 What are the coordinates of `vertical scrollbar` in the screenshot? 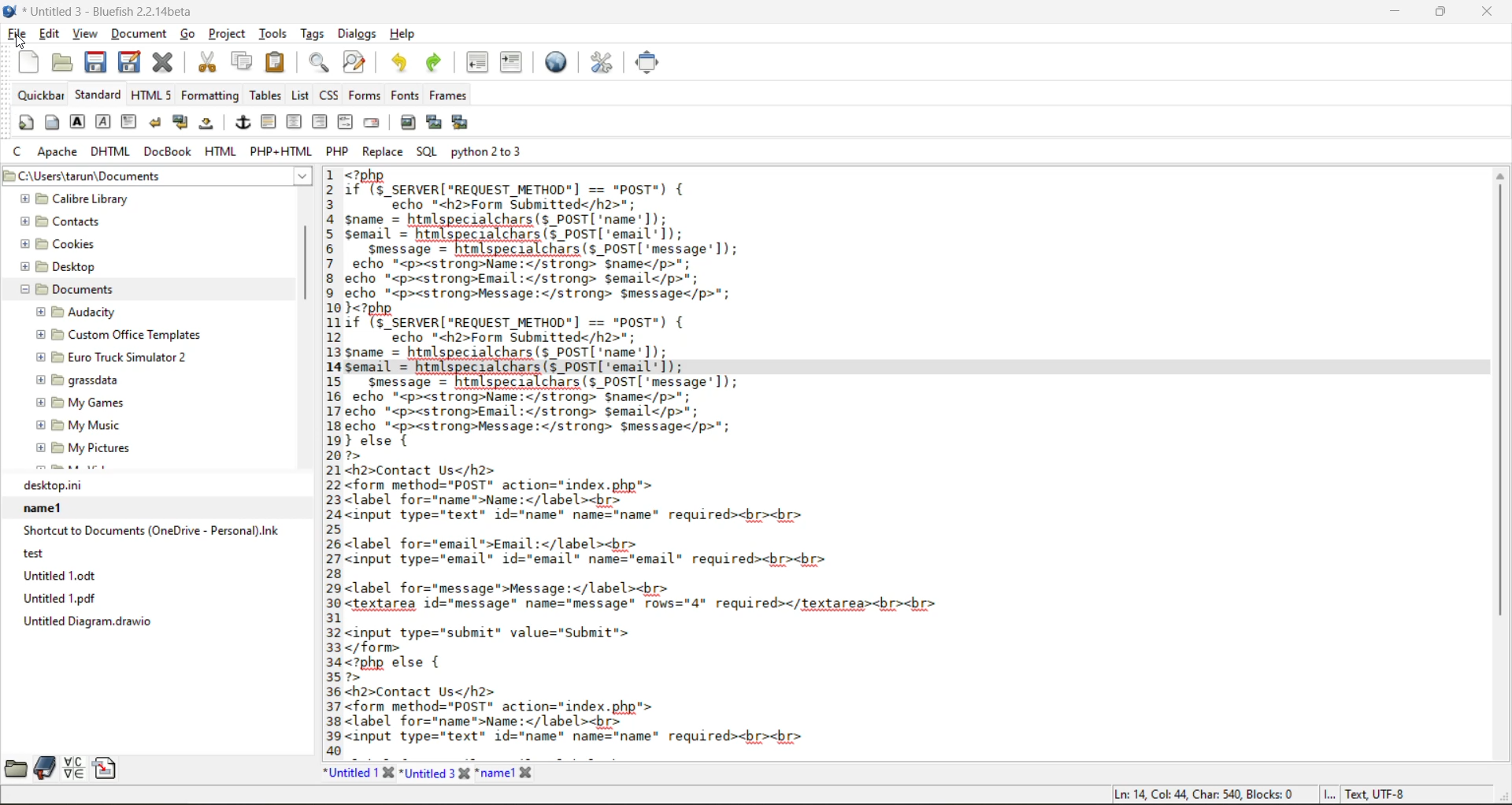 It's located at (1500, 463).